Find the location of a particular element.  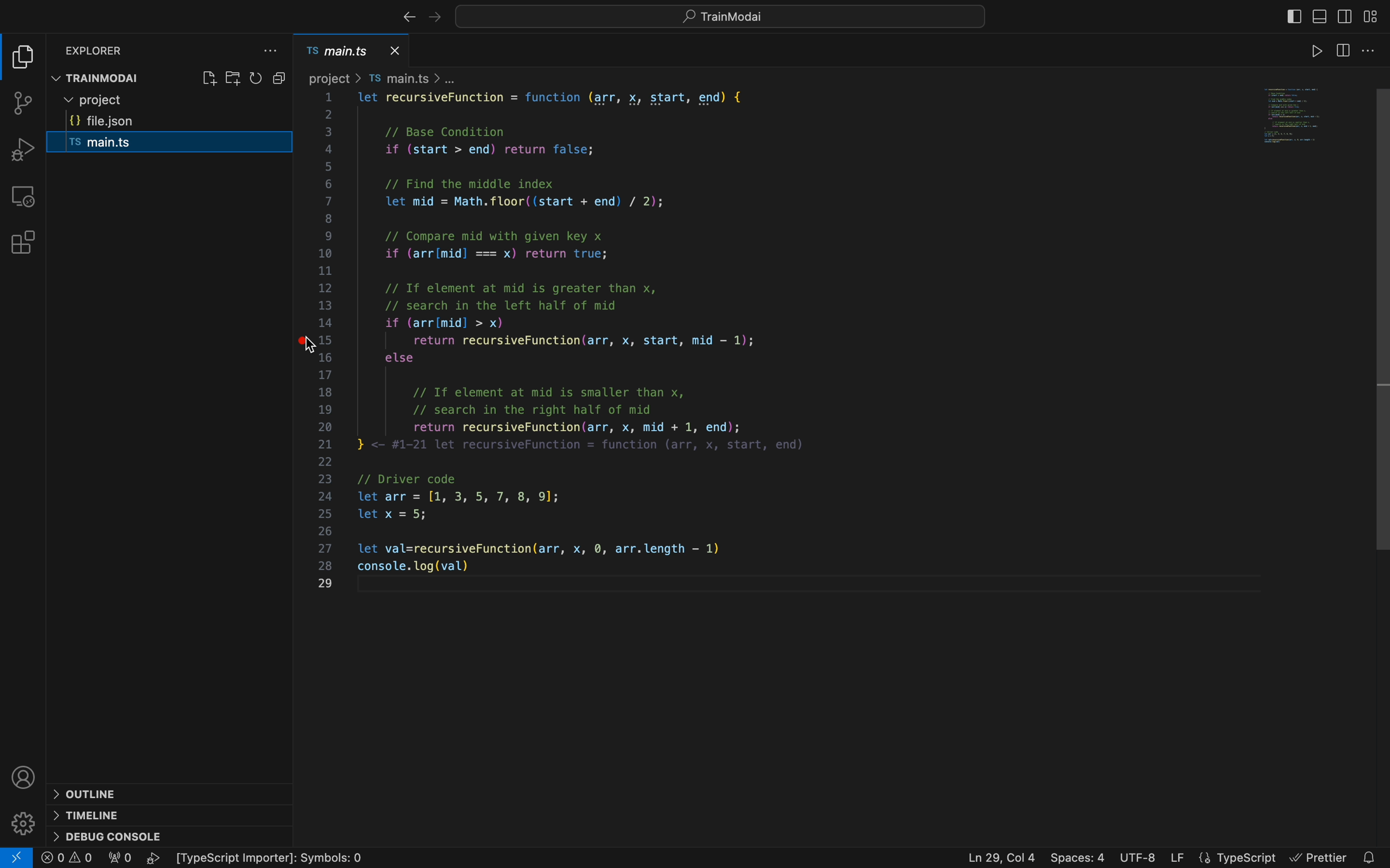

outline is located at coordinates (109, 793).